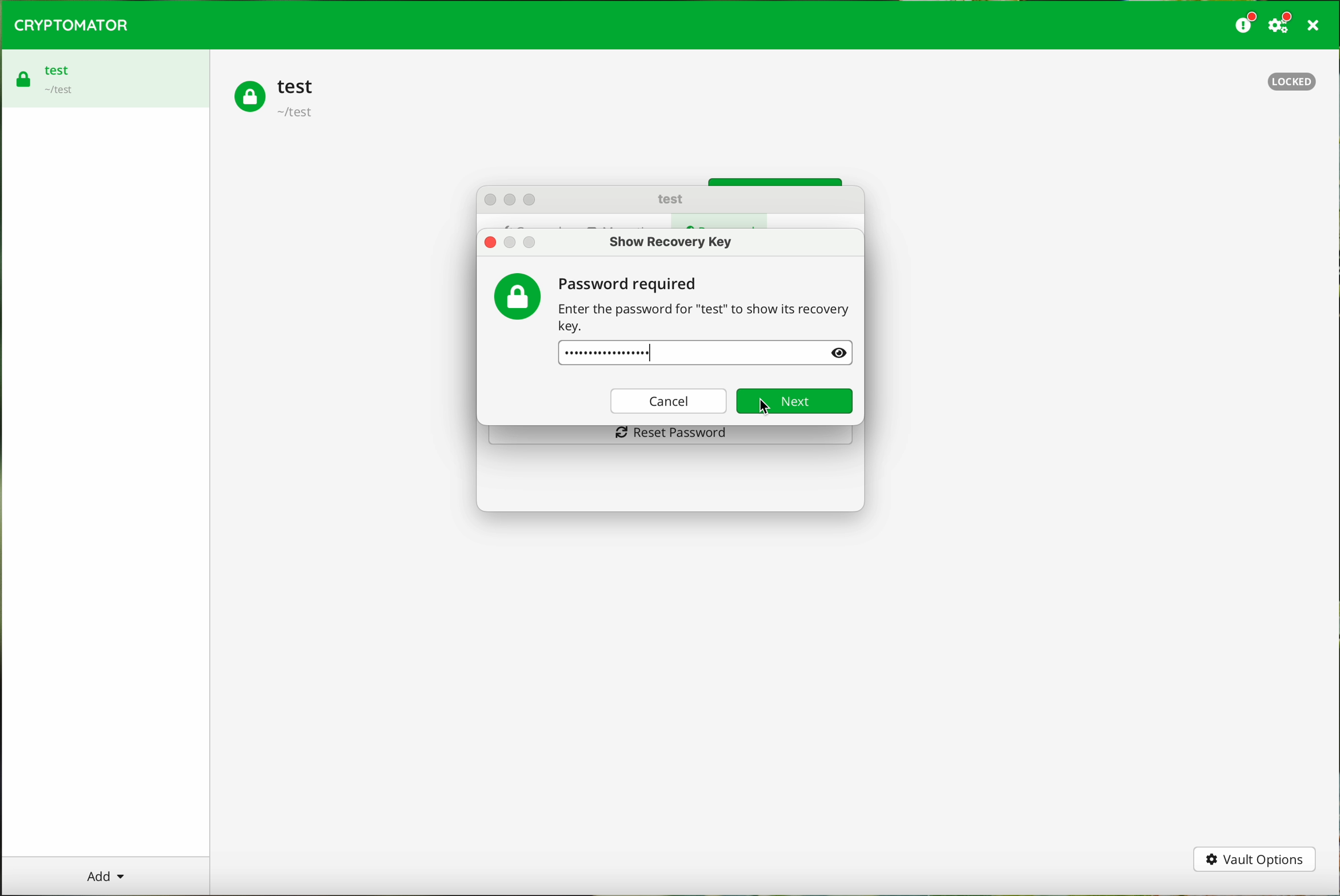 The width and height of the screenshot is (1340, 896). What do you see at coordinates (671, 199) in the screenshot?
I see `test` at bounding box center [671, 199].